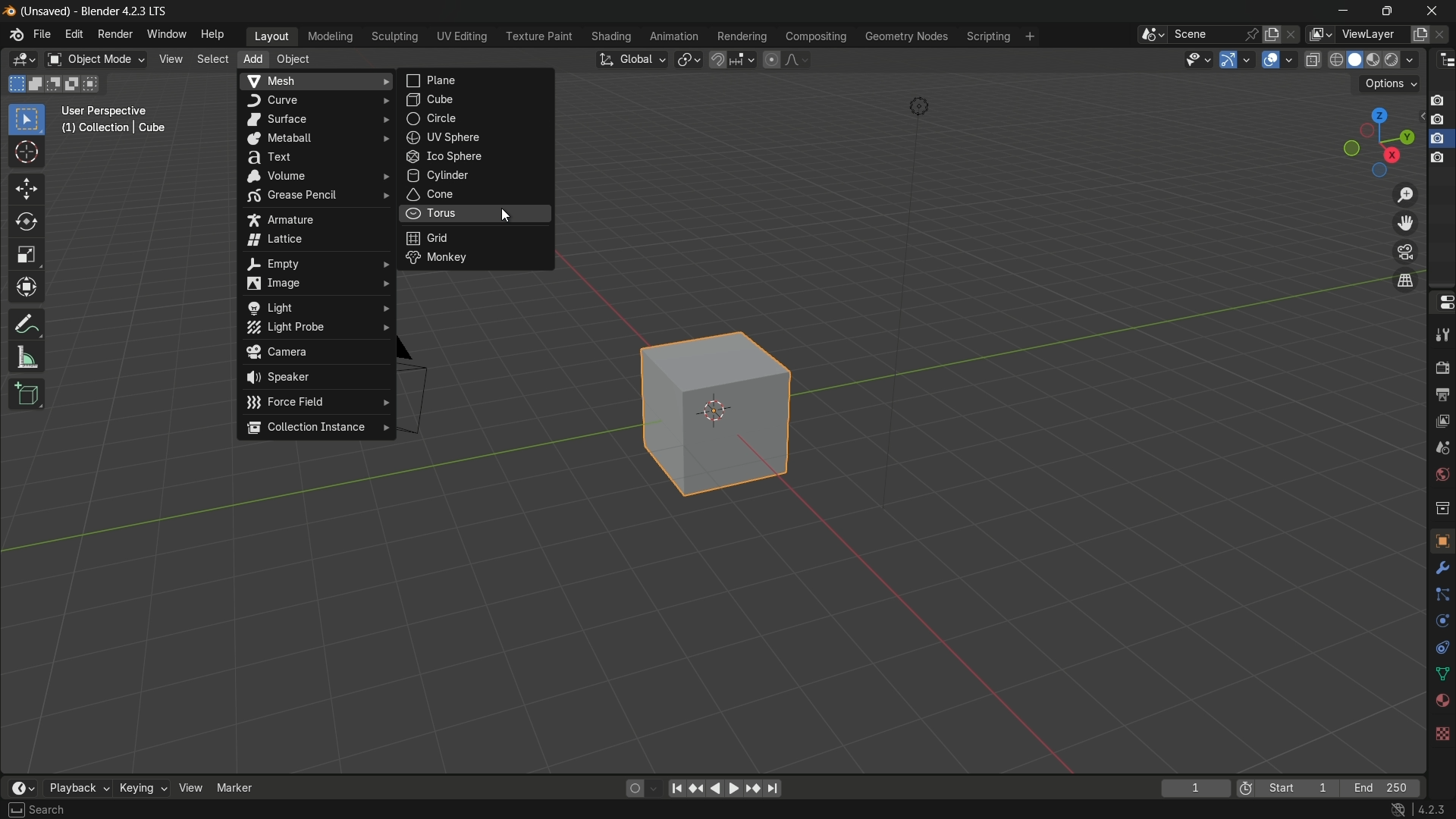 The width and height of the screenshot is (1456, 819). I want to click on edit menu, so click(73, 33).